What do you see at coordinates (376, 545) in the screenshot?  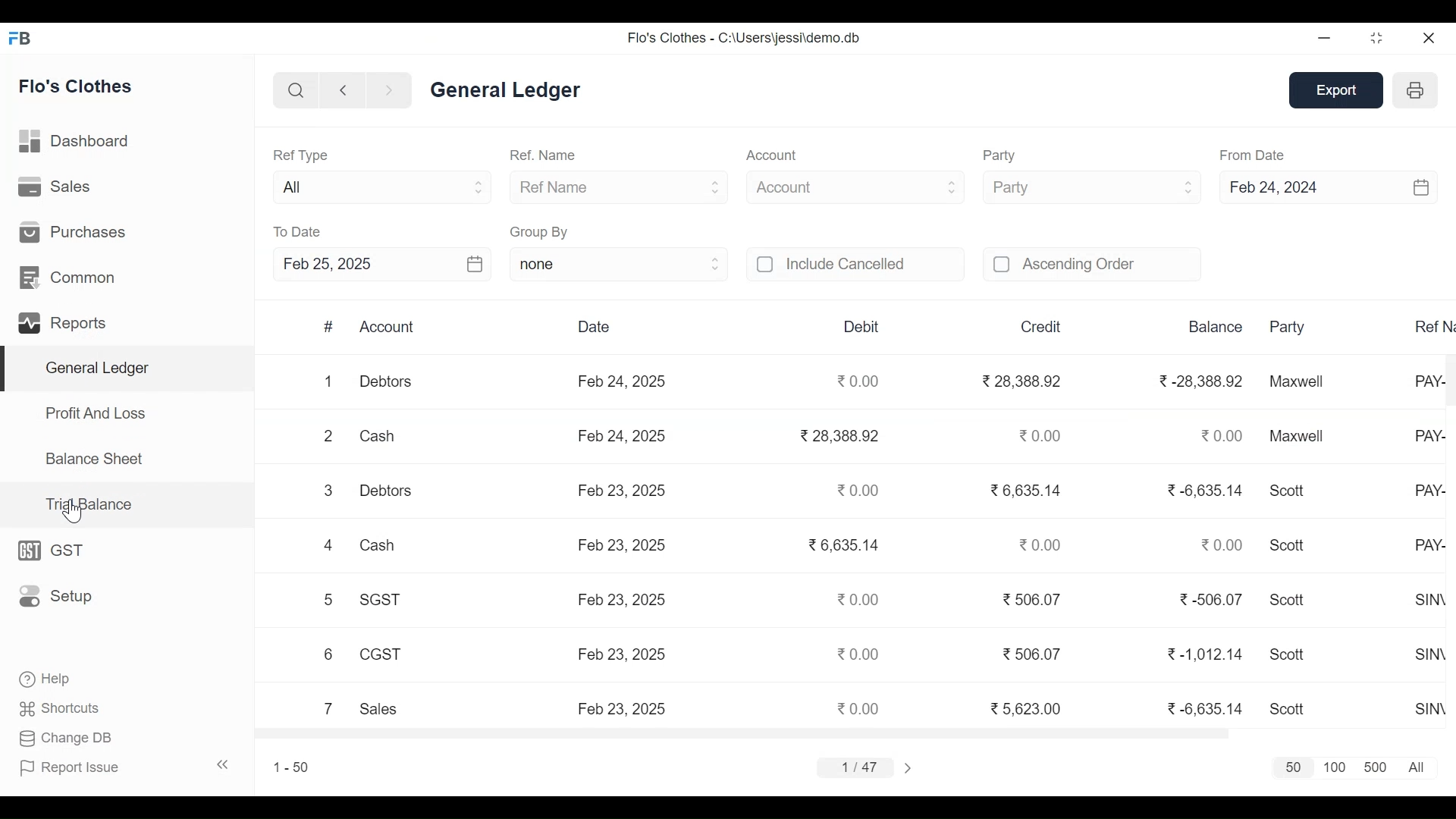 I see `Cash` at bounding box center [376, 545].